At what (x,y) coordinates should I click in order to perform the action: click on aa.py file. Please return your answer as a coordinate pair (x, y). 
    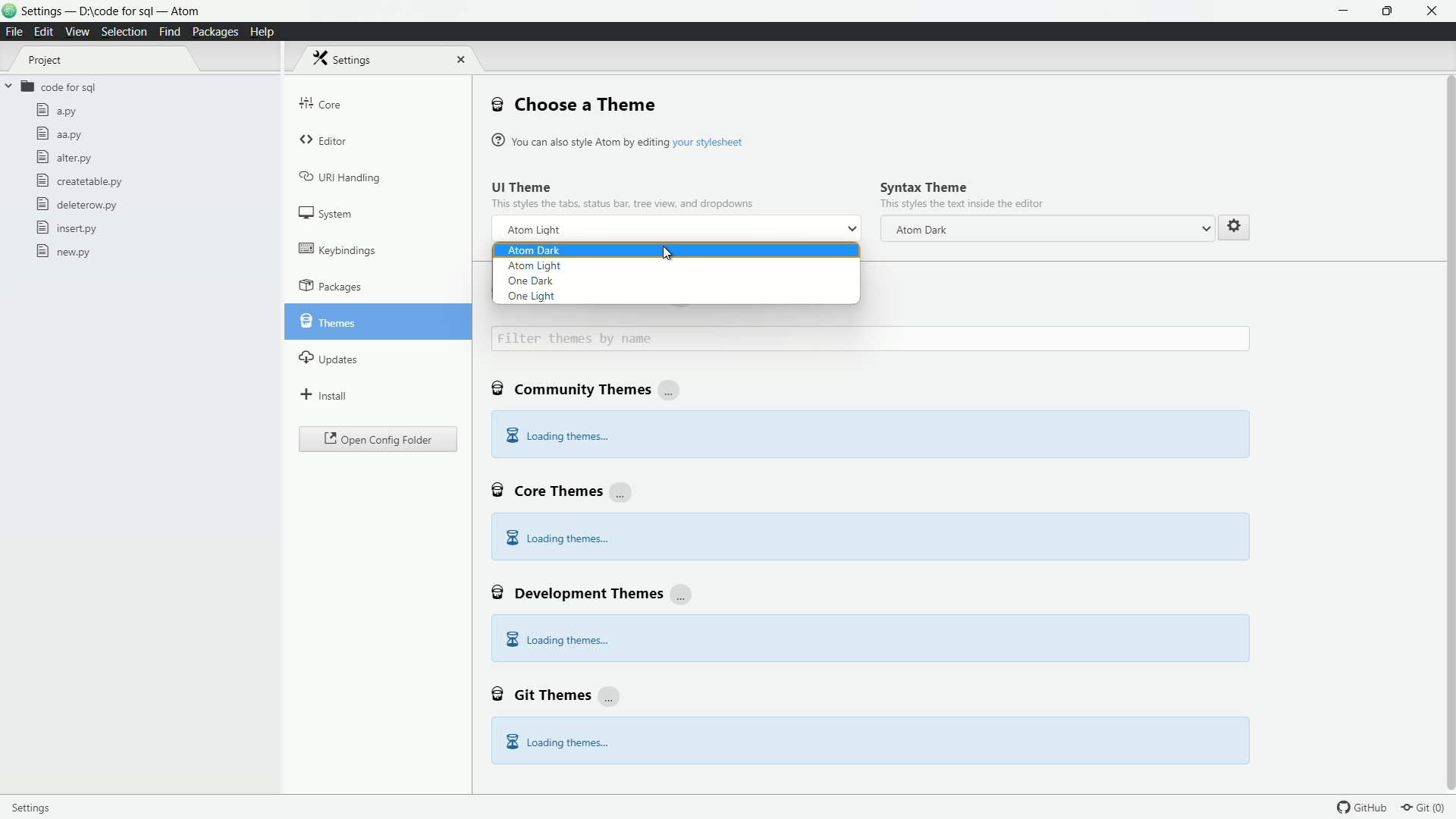
    Looking at the image, I should click on (58, 136).